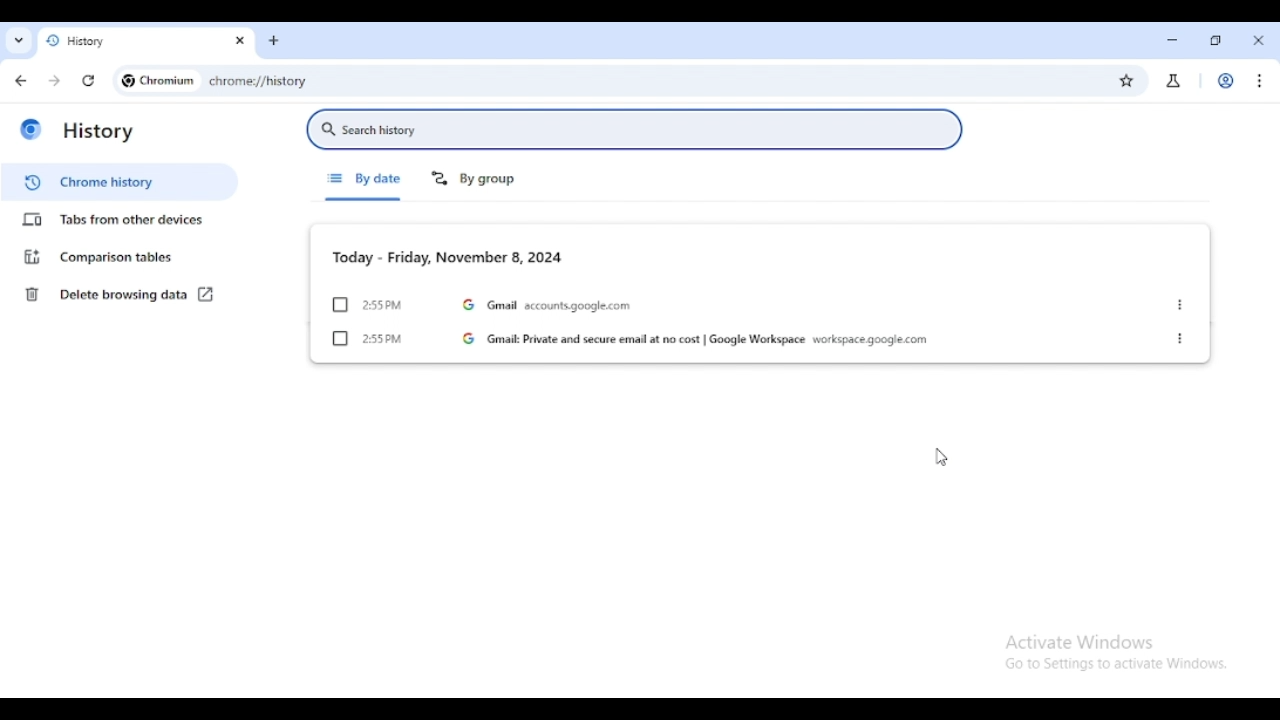 This screenshot has height=720, width=1280. What do you see at coordinates (474, 178) in the screenshot?
I see `by group` at bounding box center [474, 178].